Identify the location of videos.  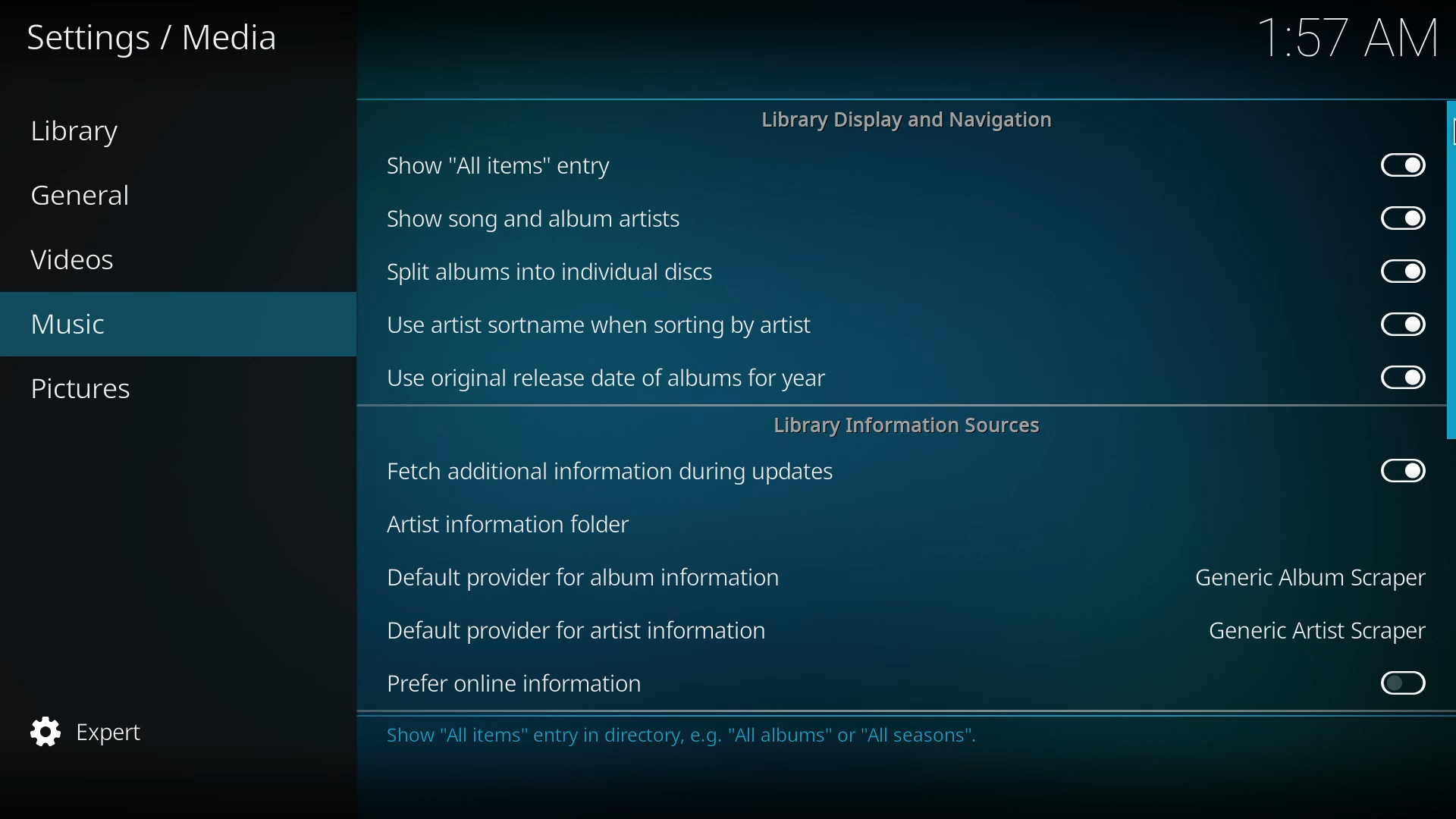
(78, 260).